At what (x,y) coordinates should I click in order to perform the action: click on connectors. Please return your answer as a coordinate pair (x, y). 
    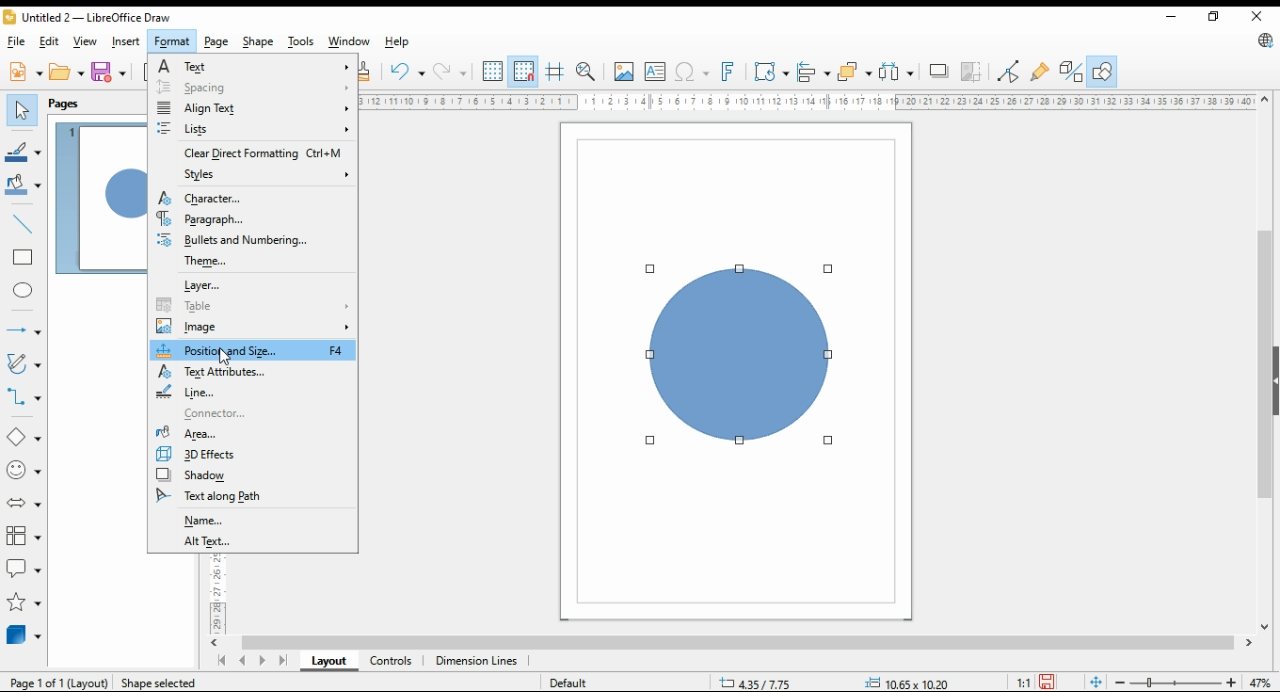
    Looking at the image, I should click on (25, 398).